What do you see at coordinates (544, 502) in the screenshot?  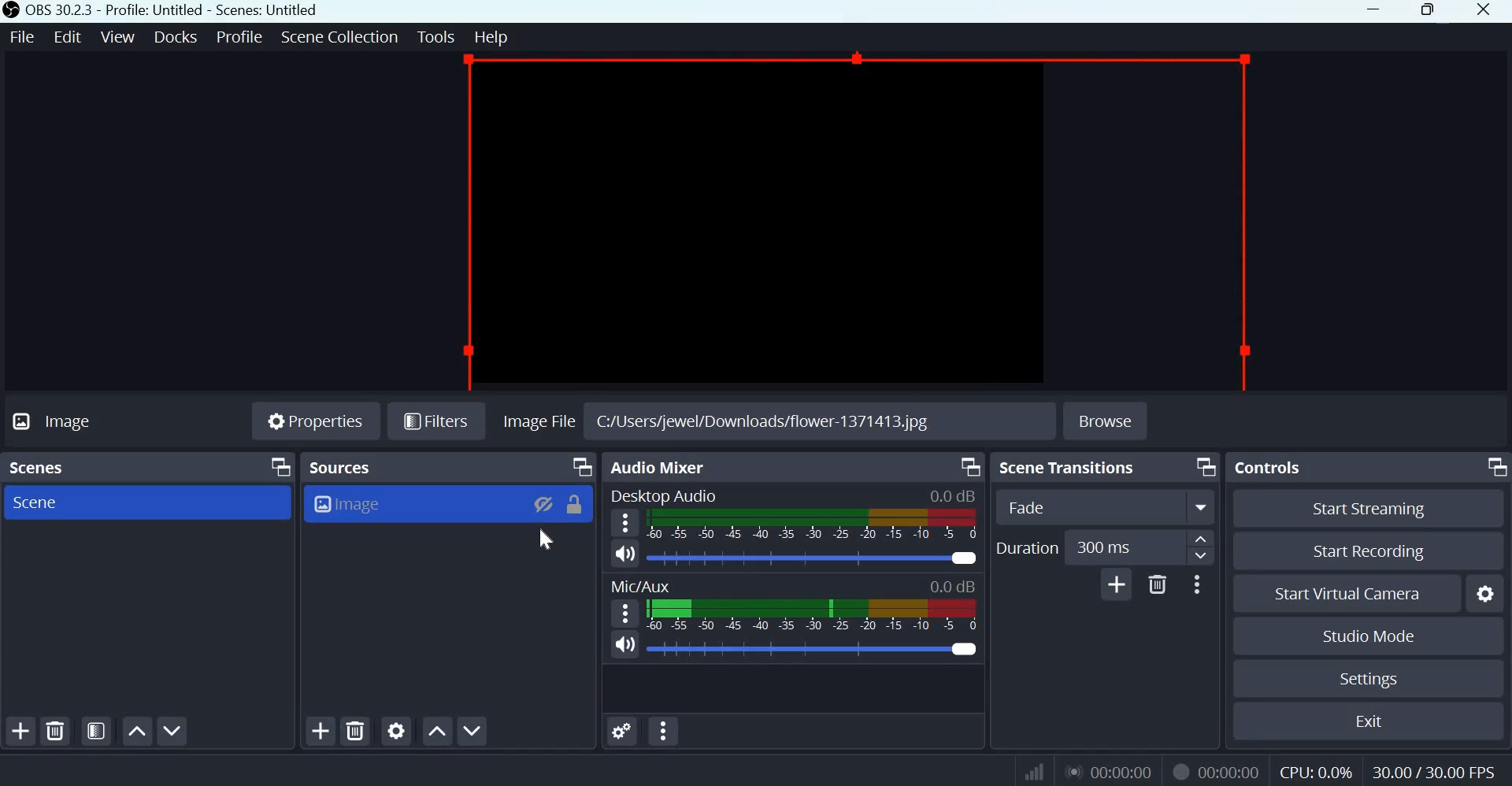 I see `Visibility Toggle` at bounding box center [544, 502].